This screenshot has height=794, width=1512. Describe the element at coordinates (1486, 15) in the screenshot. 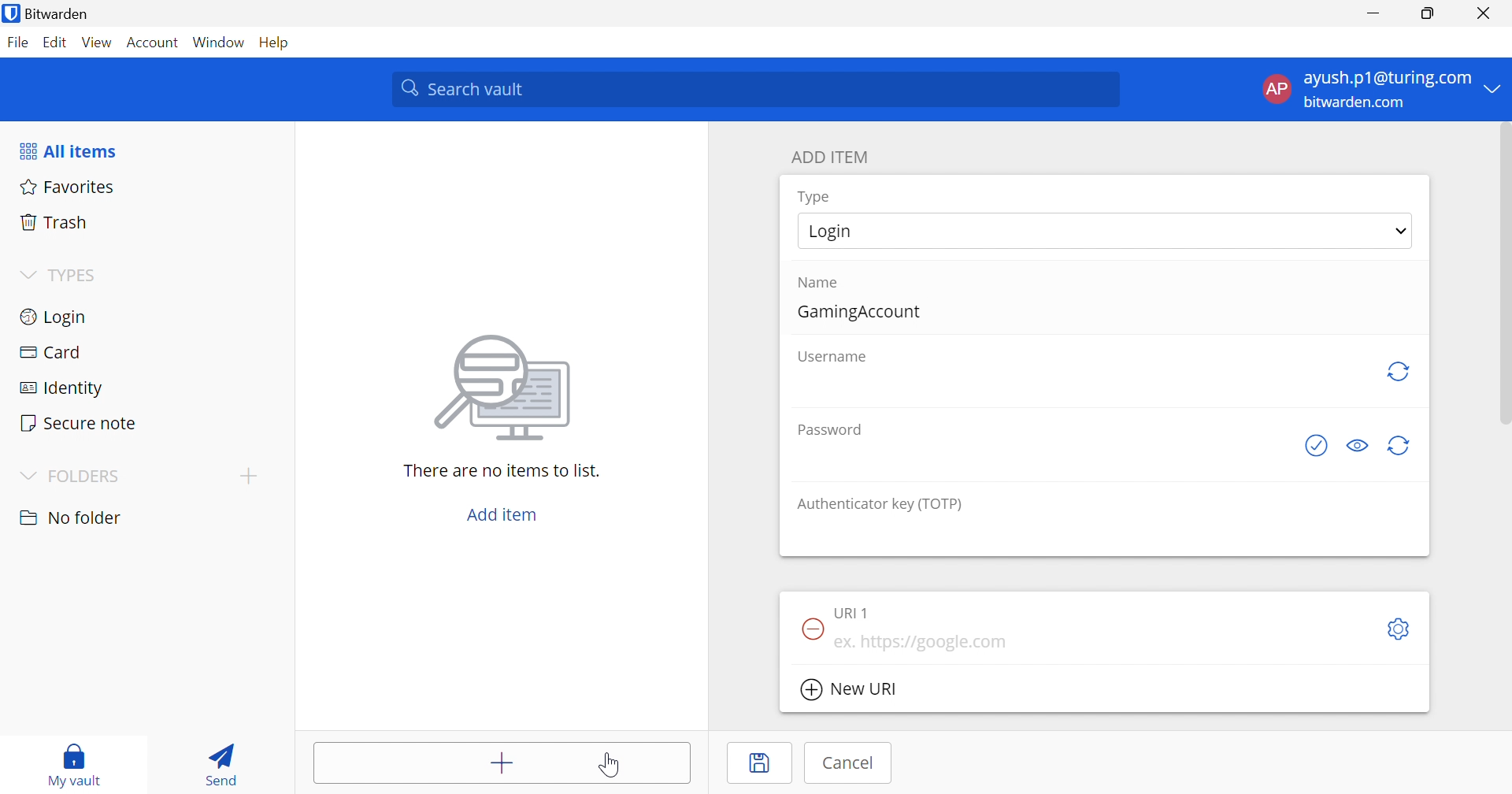

I see `Close` at that location.